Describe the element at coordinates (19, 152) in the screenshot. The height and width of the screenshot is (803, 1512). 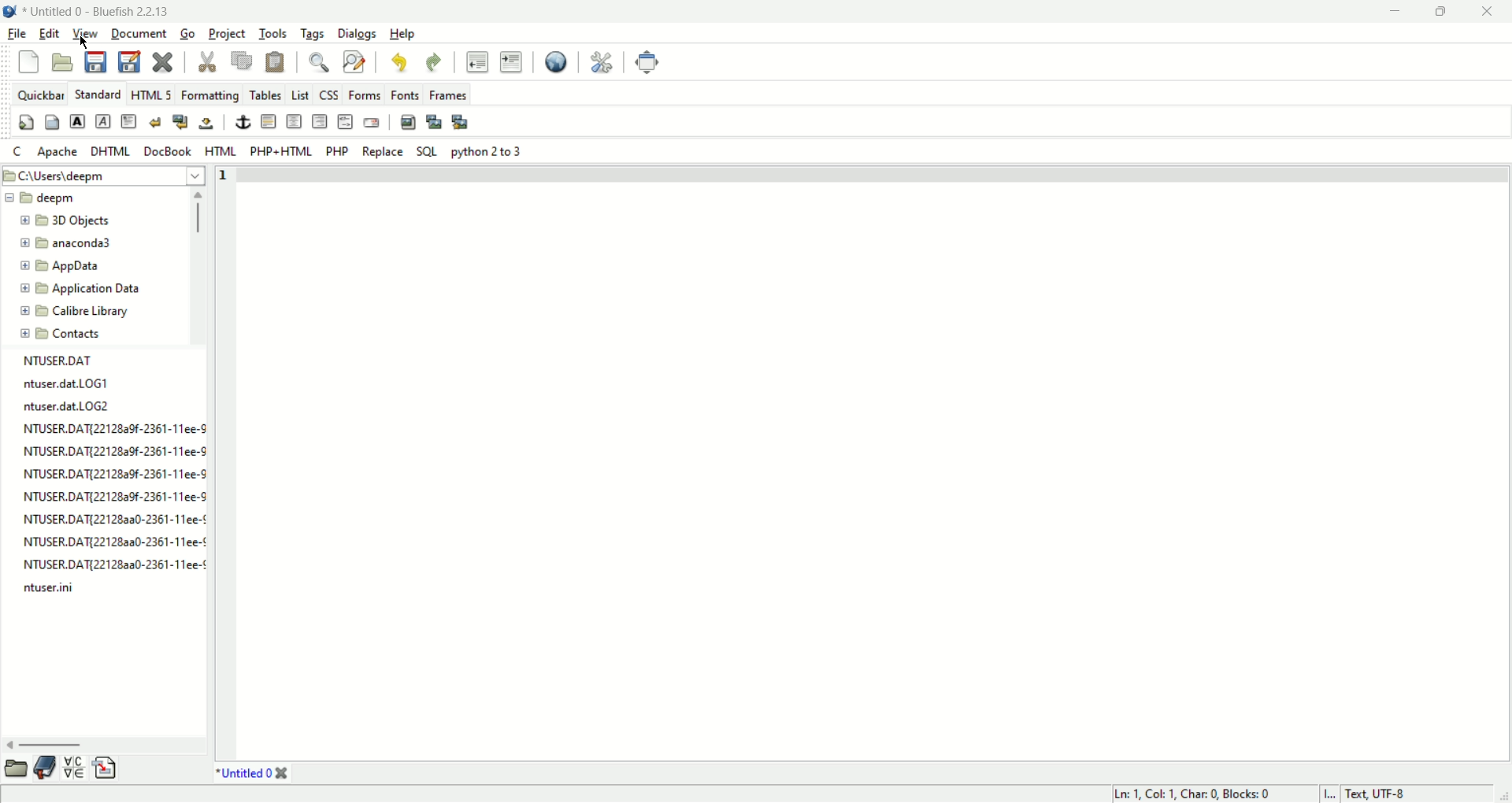
I see `quick settings` at that location.